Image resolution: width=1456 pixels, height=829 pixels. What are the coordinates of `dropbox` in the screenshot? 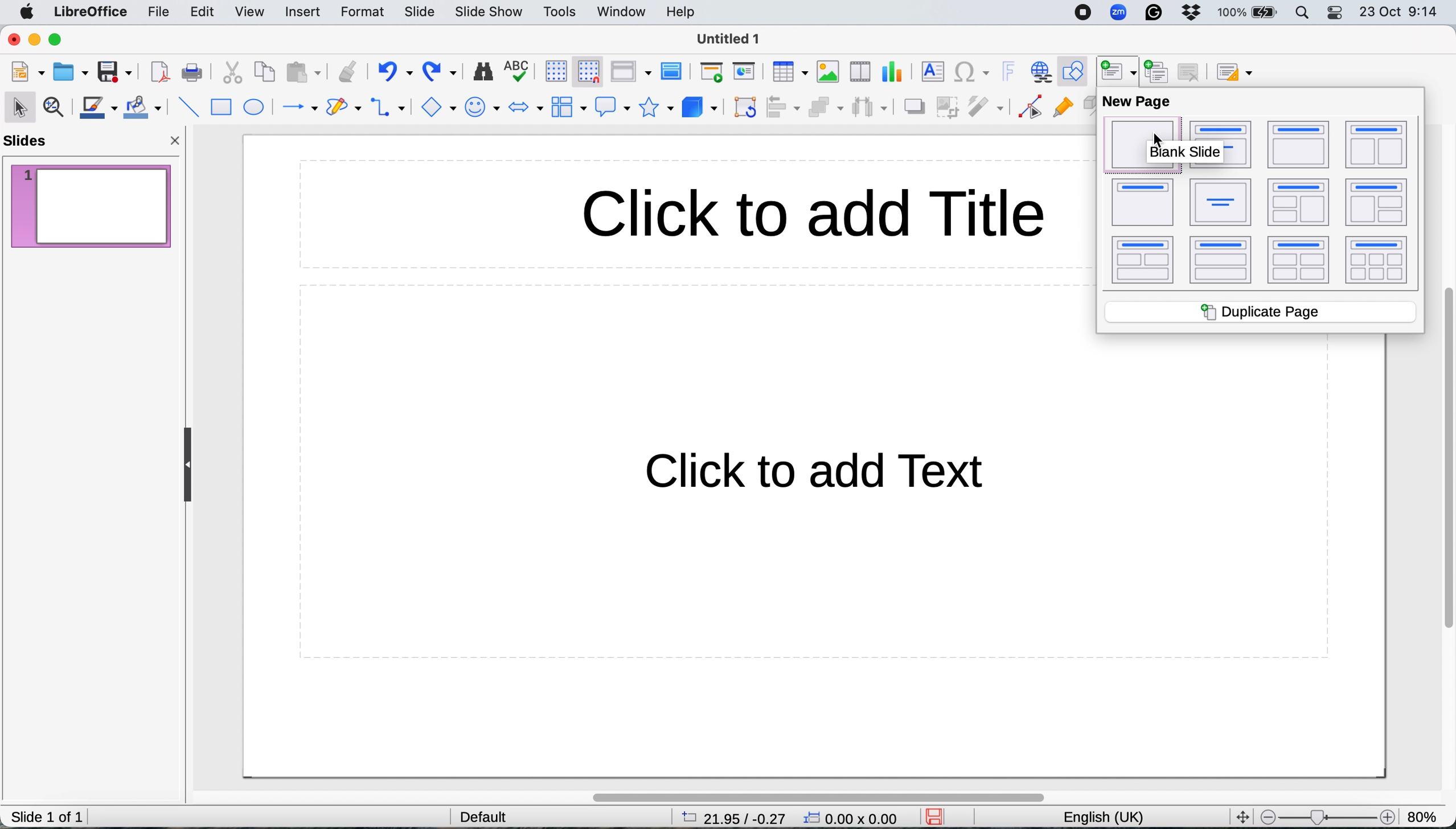 It's located at (1196, 13).